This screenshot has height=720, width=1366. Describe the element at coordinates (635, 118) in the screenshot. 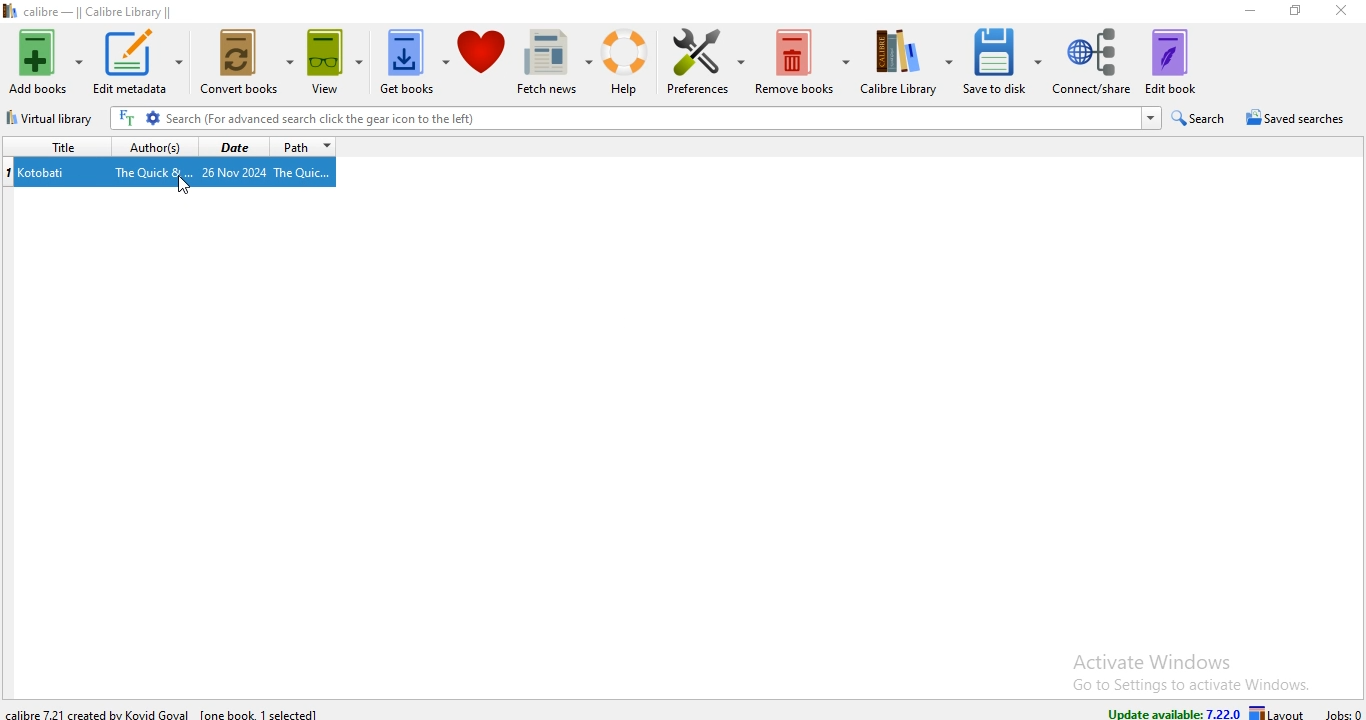

I see `Search (For advanced search click the gear icon to the left)` at that location.